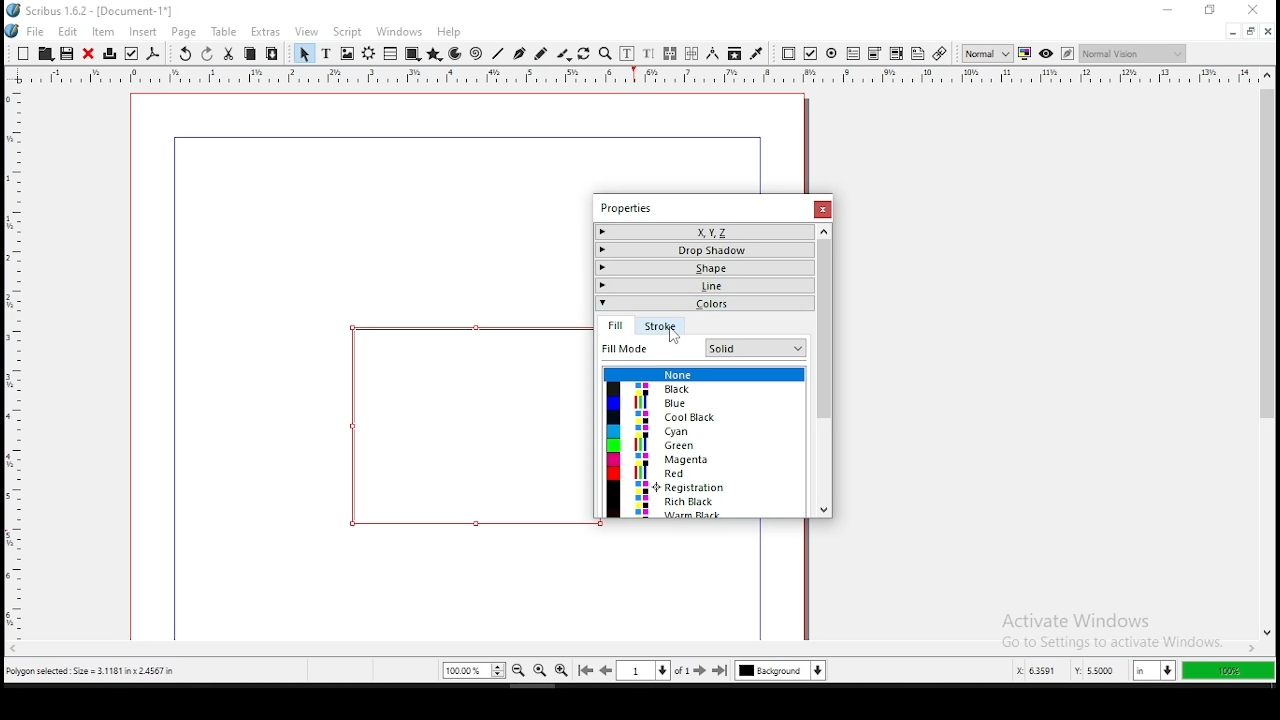  I want to click on icon and file name, so click(91, 11).